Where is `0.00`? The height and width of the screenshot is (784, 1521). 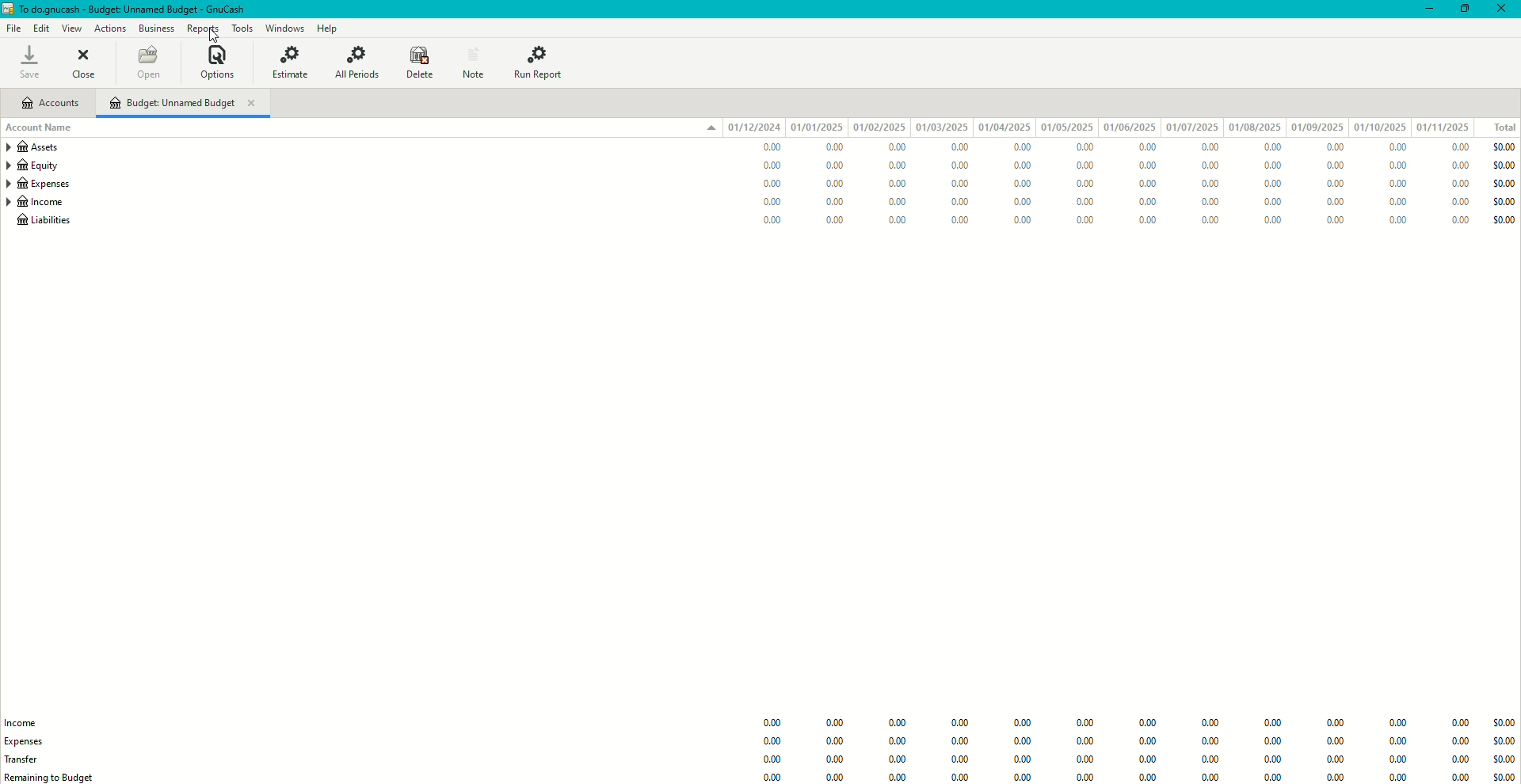 0.00 is located at coordinates (1085, 149).